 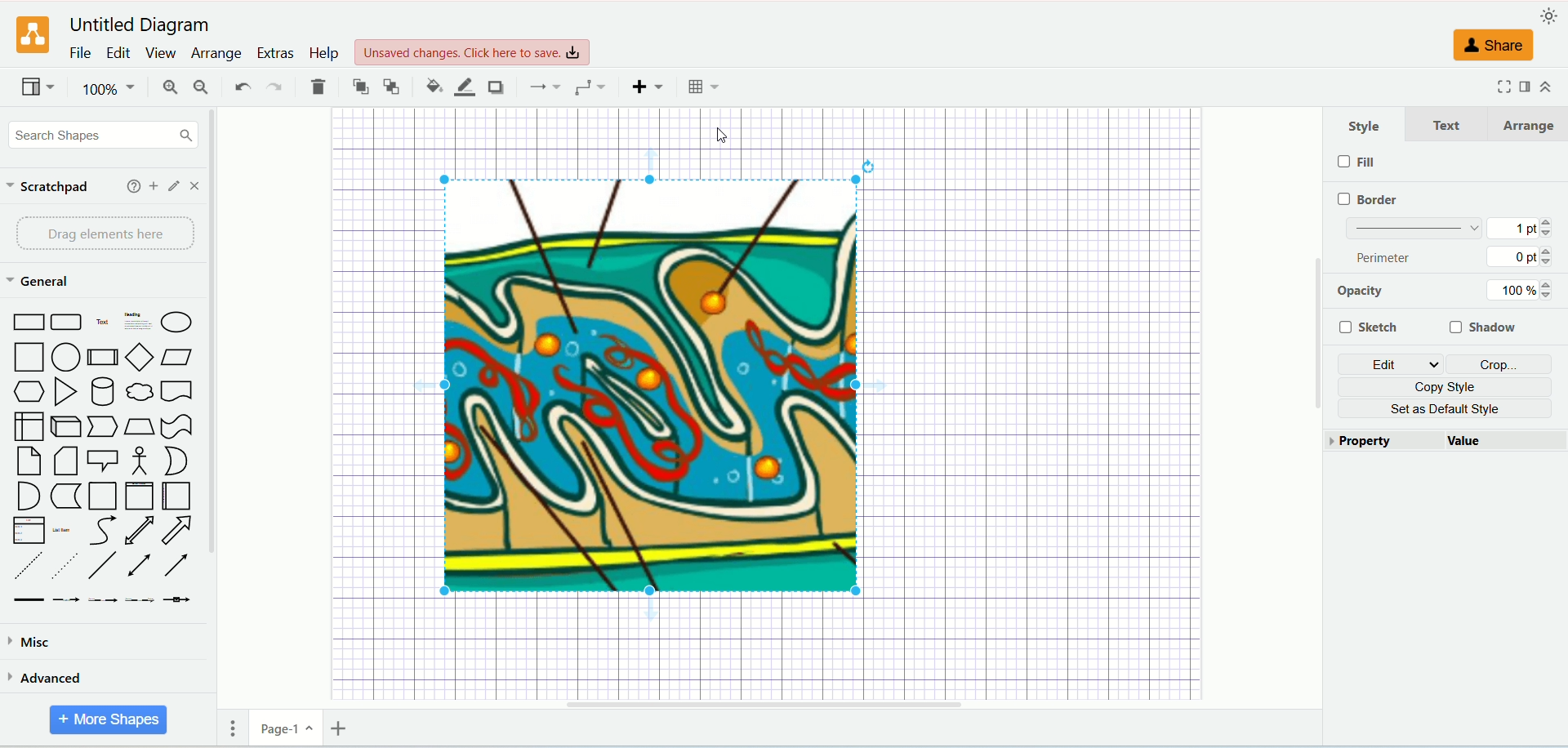 What do you see at coordinates (1546, 87) in the screenshot?
I see `collapse/expand` at bounding box center [1546, 87].